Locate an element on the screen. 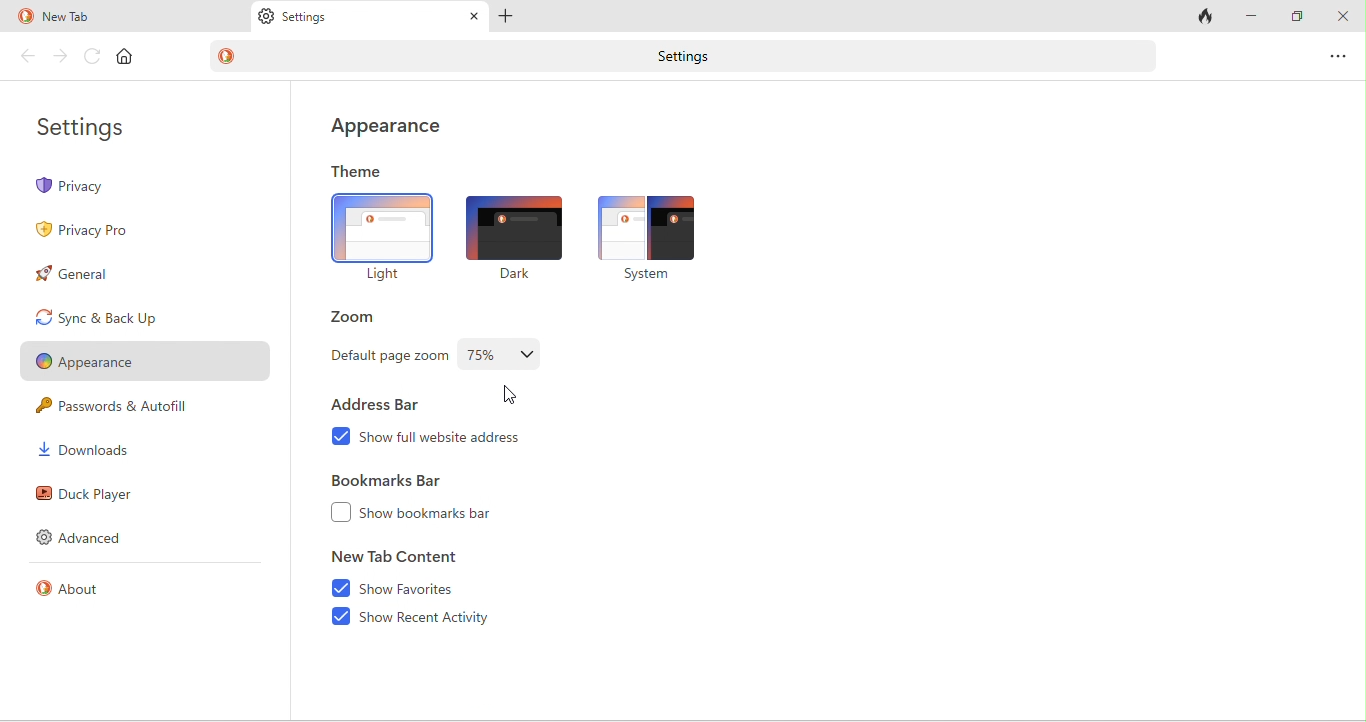  settings logo is located at coordinates (266, 19).